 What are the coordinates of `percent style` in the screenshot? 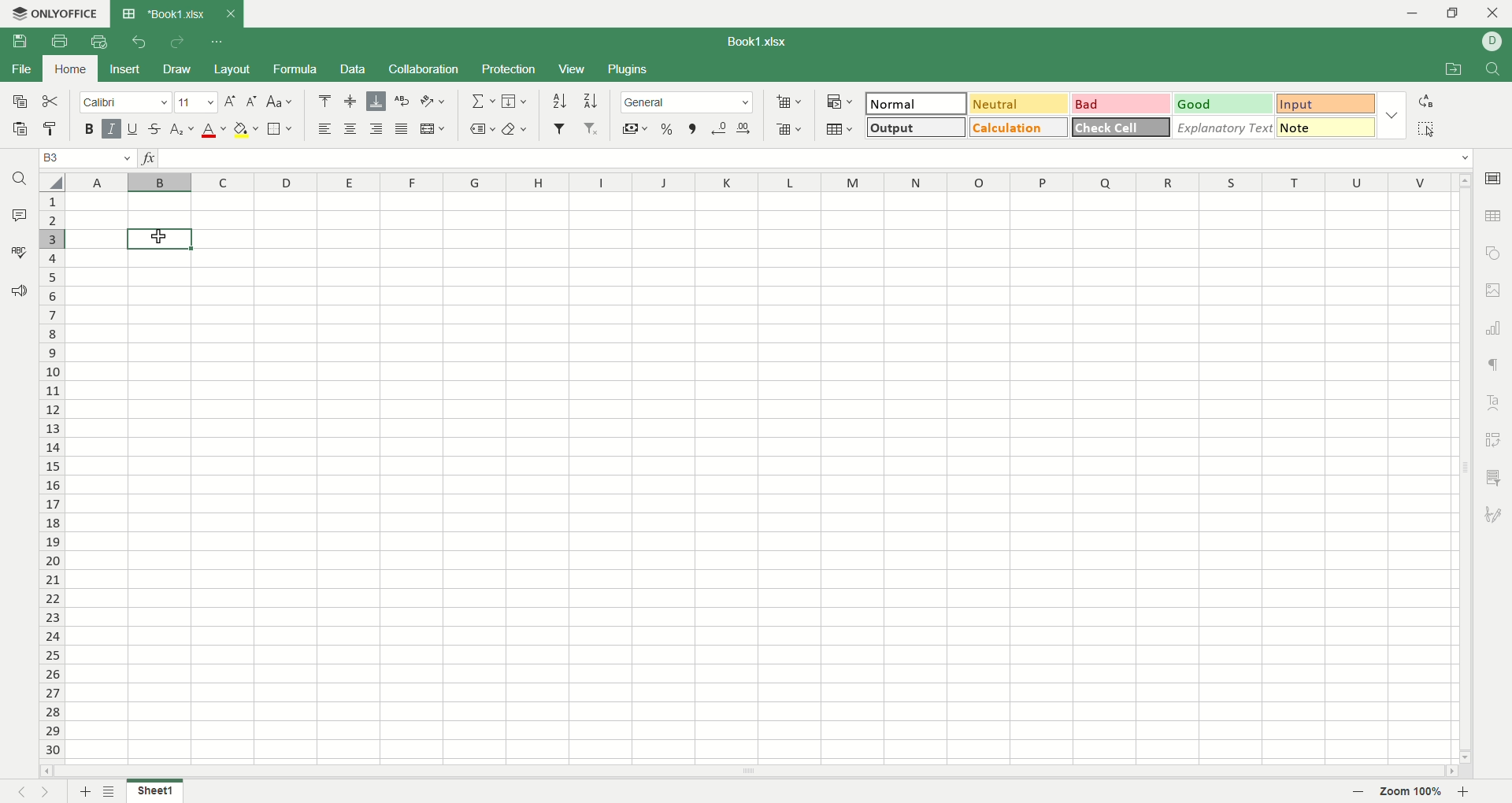 It's located at (666, 130).